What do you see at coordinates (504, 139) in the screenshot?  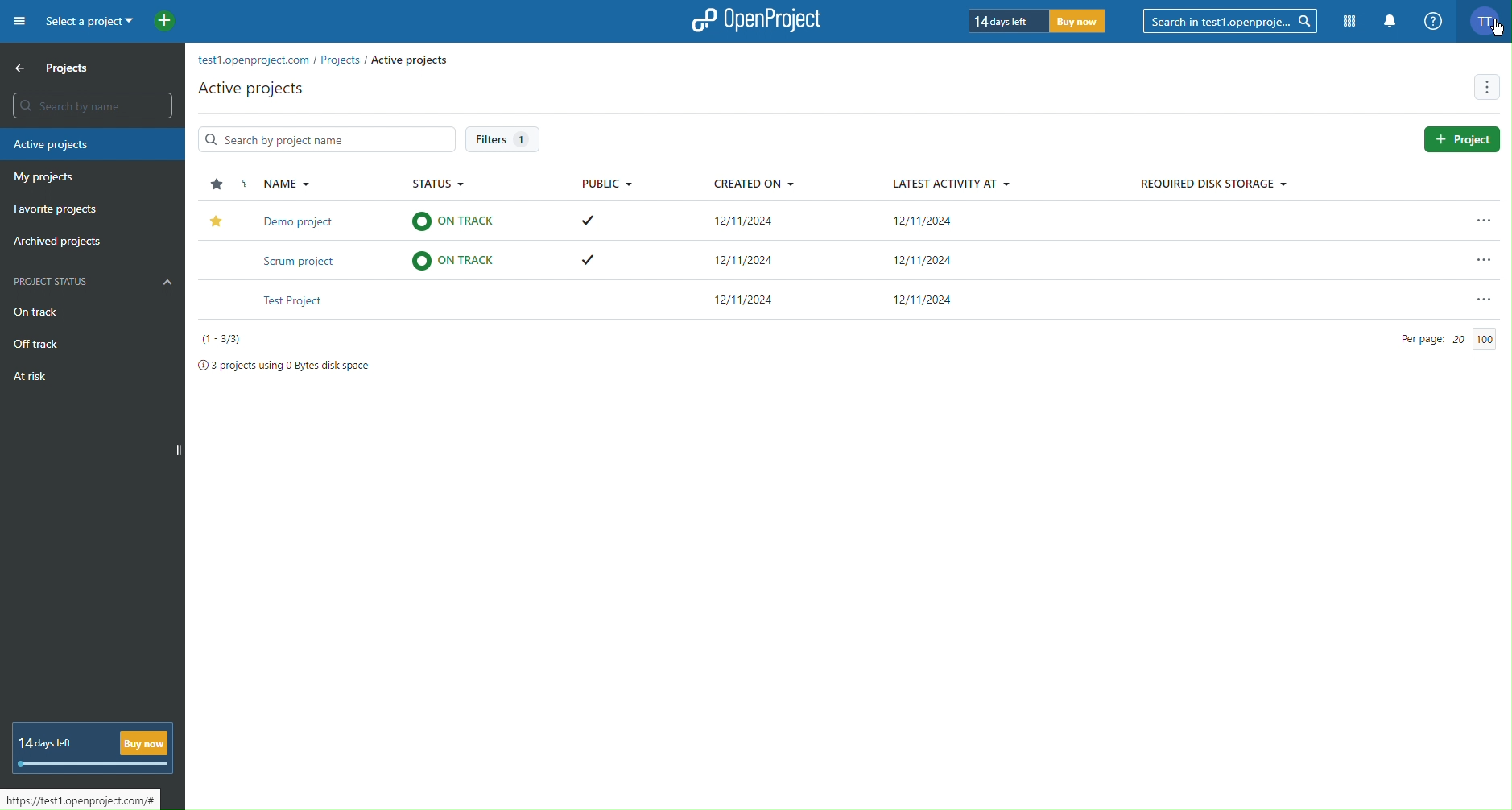 I see `Filters` at bounding box center [504, 139].